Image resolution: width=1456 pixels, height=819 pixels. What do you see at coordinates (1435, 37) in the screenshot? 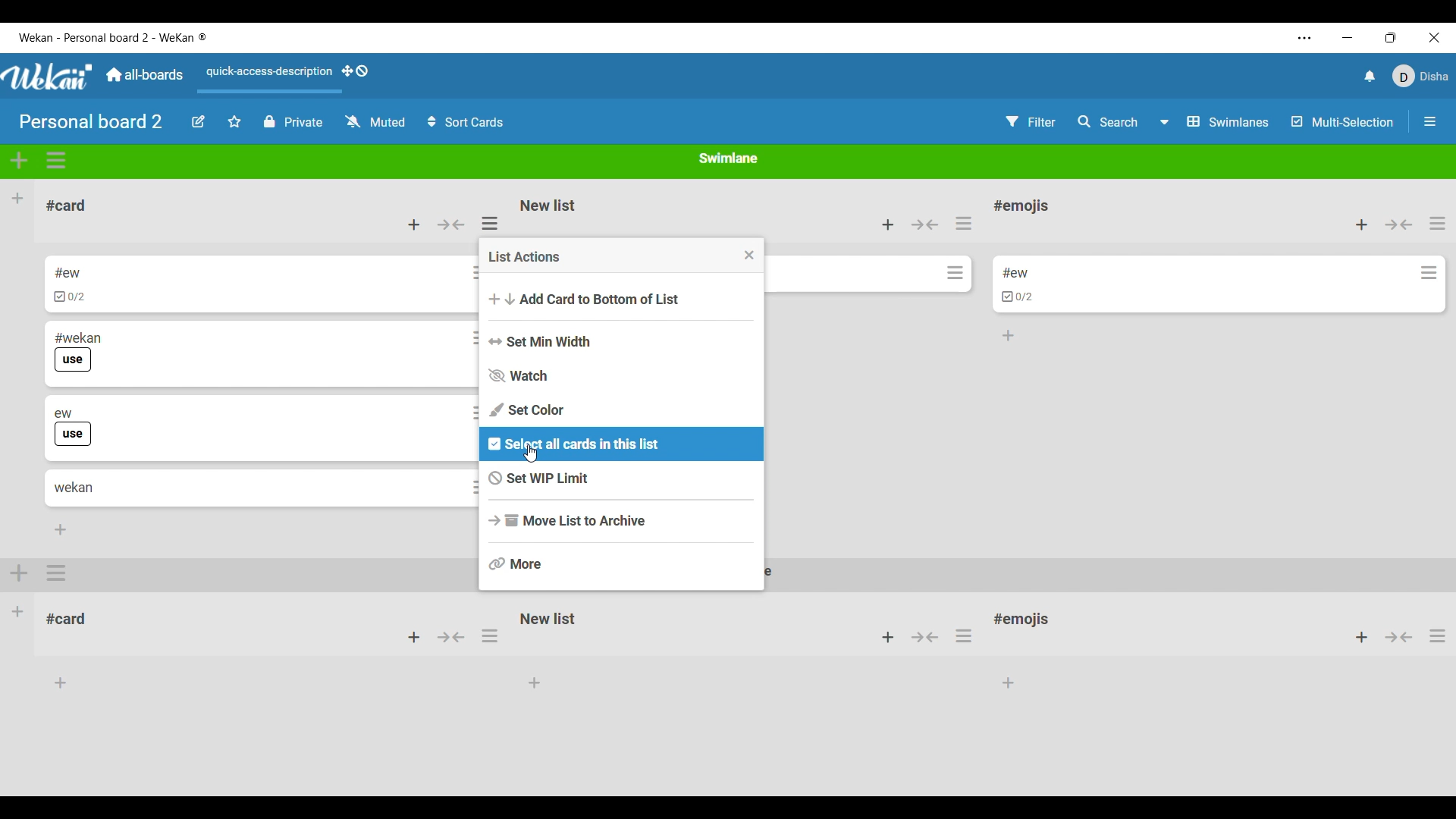
I see `Close interface` at bounding box center [1435, 37].